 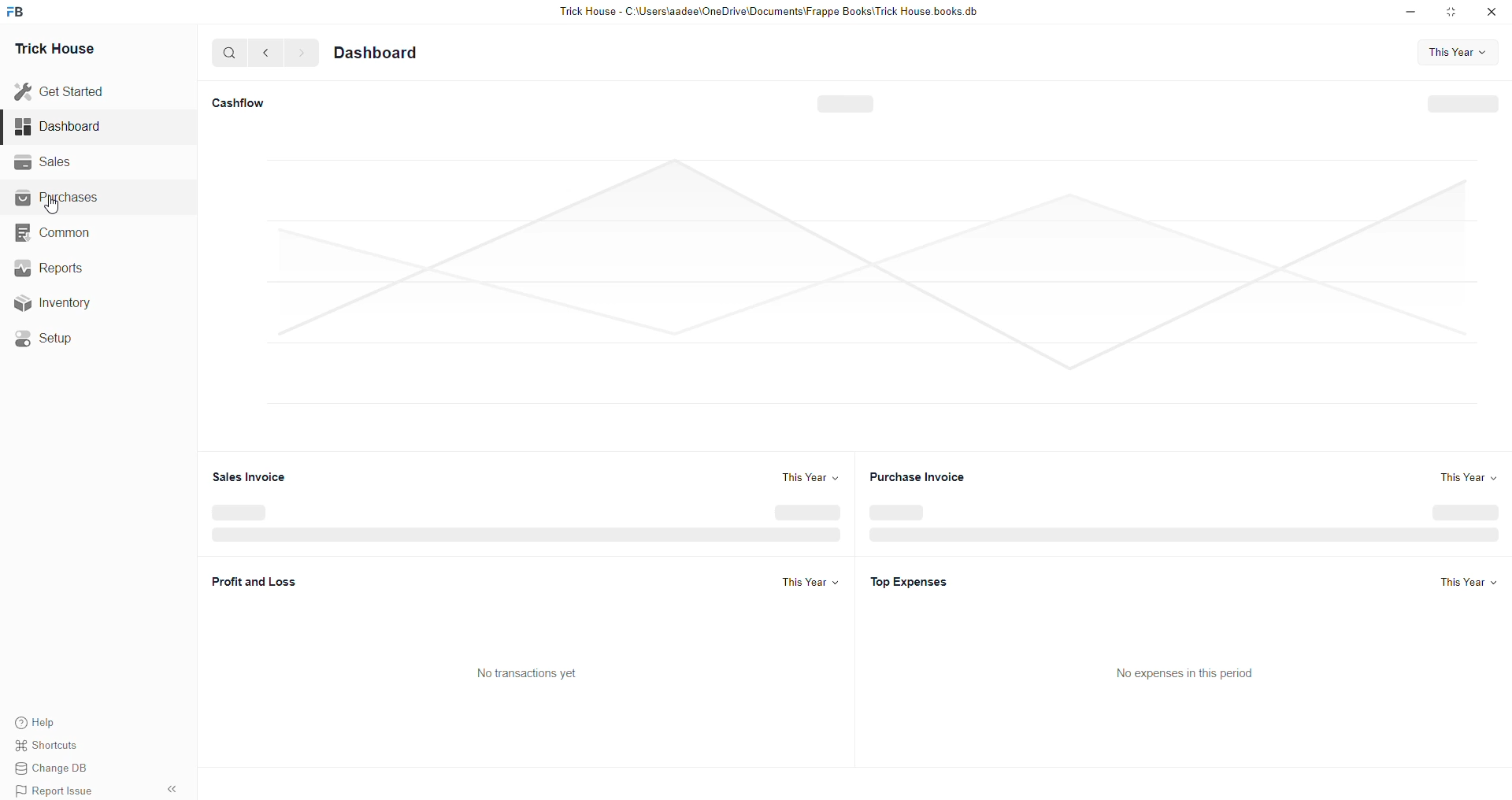 What do you see at coordinates (60, 769) in the screenshot?
I see `Change DB` at bounding box center [60, 769].